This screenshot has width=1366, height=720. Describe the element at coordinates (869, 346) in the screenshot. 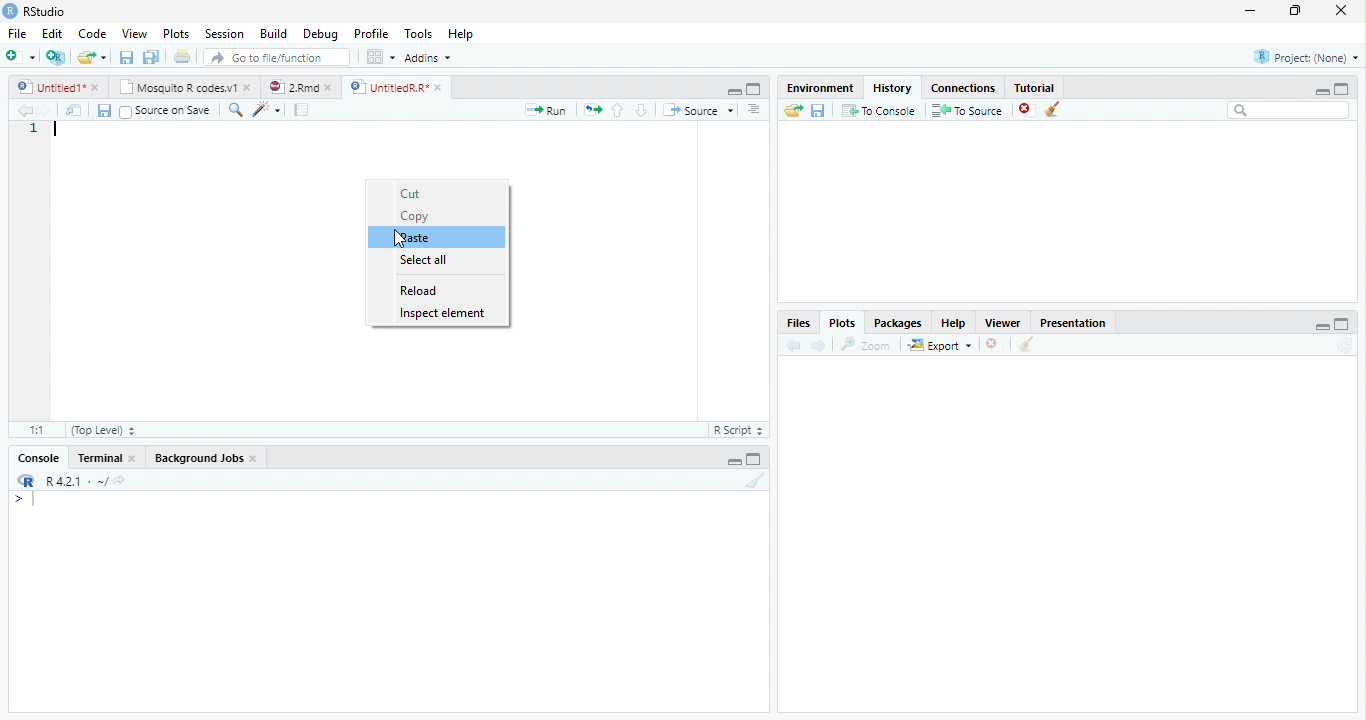

I see `zoom` at that location.